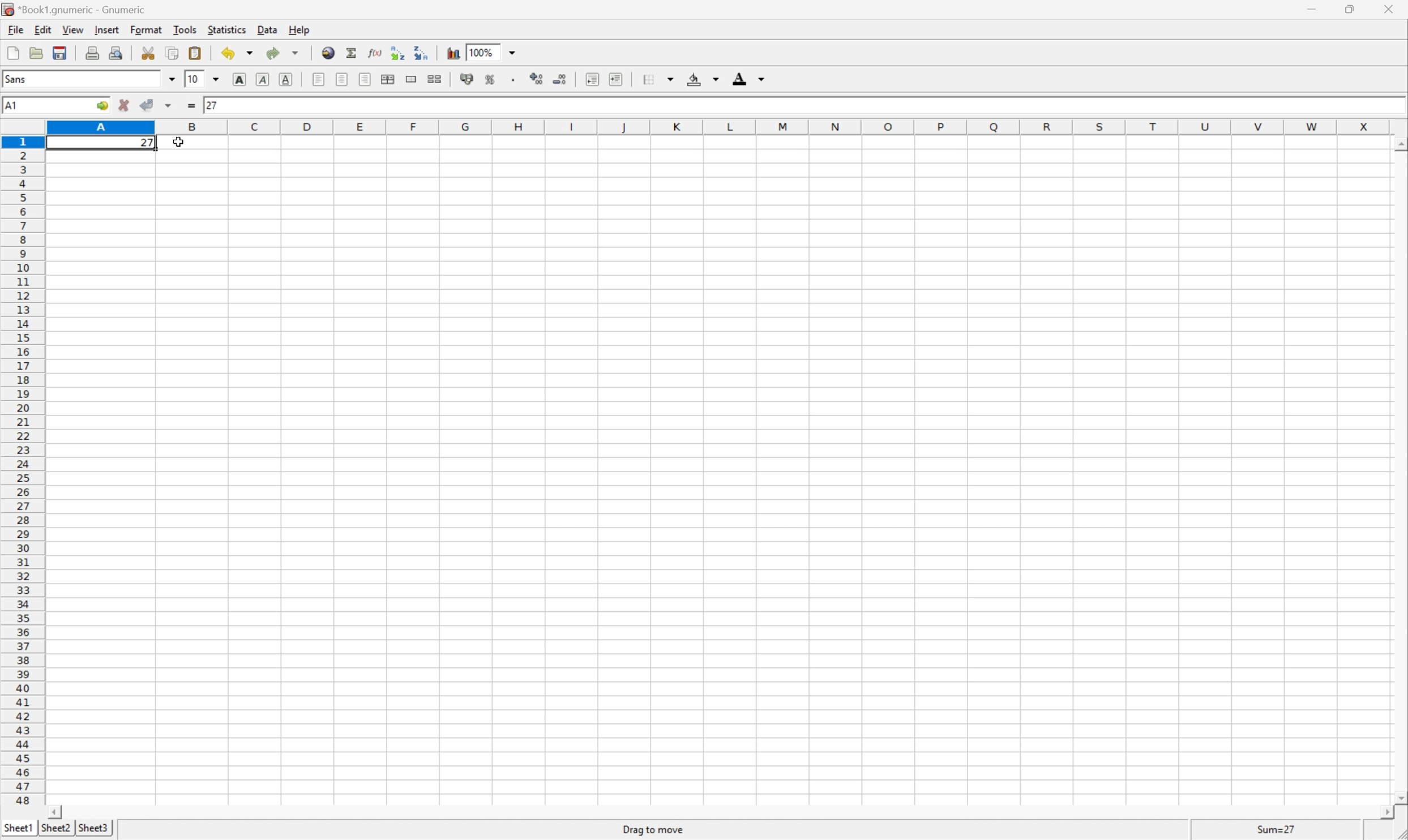 The height and width of the screenshot is (840, 1408). Describe the element at coordinates (490, 79) in the screenshot. I see `Format the selection as percentage` at that location.